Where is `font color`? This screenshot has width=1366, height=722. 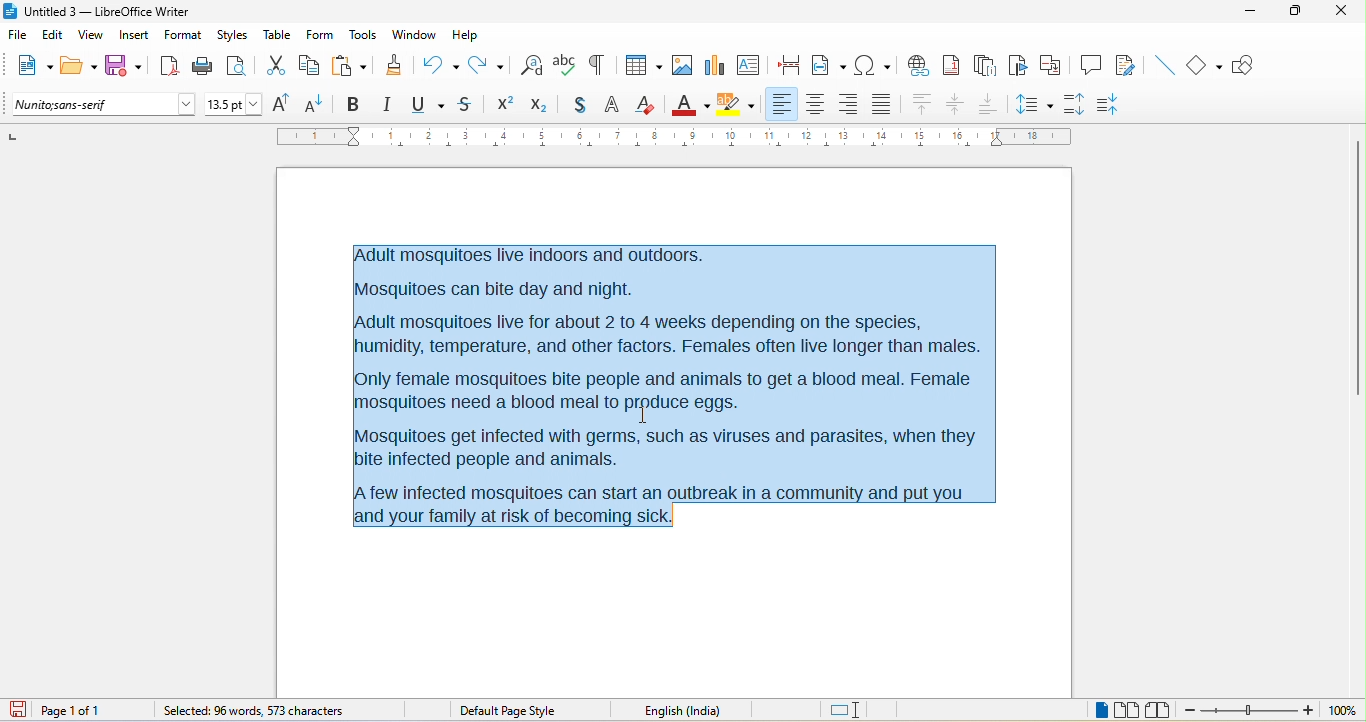
font color is located at coordinates (690, 103).